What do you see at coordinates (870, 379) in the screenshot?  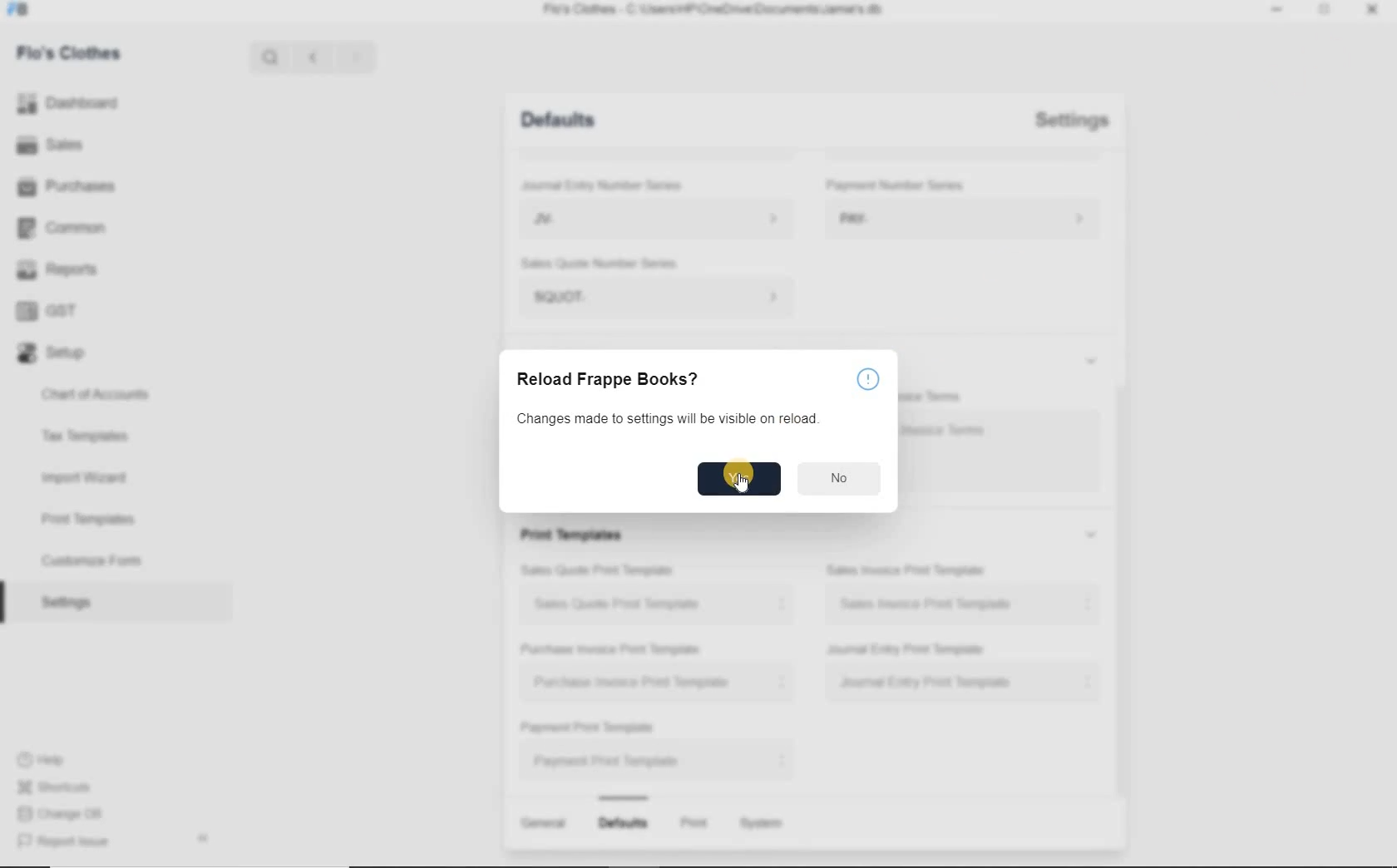 I see `Help` at bounding box center [870, 379].